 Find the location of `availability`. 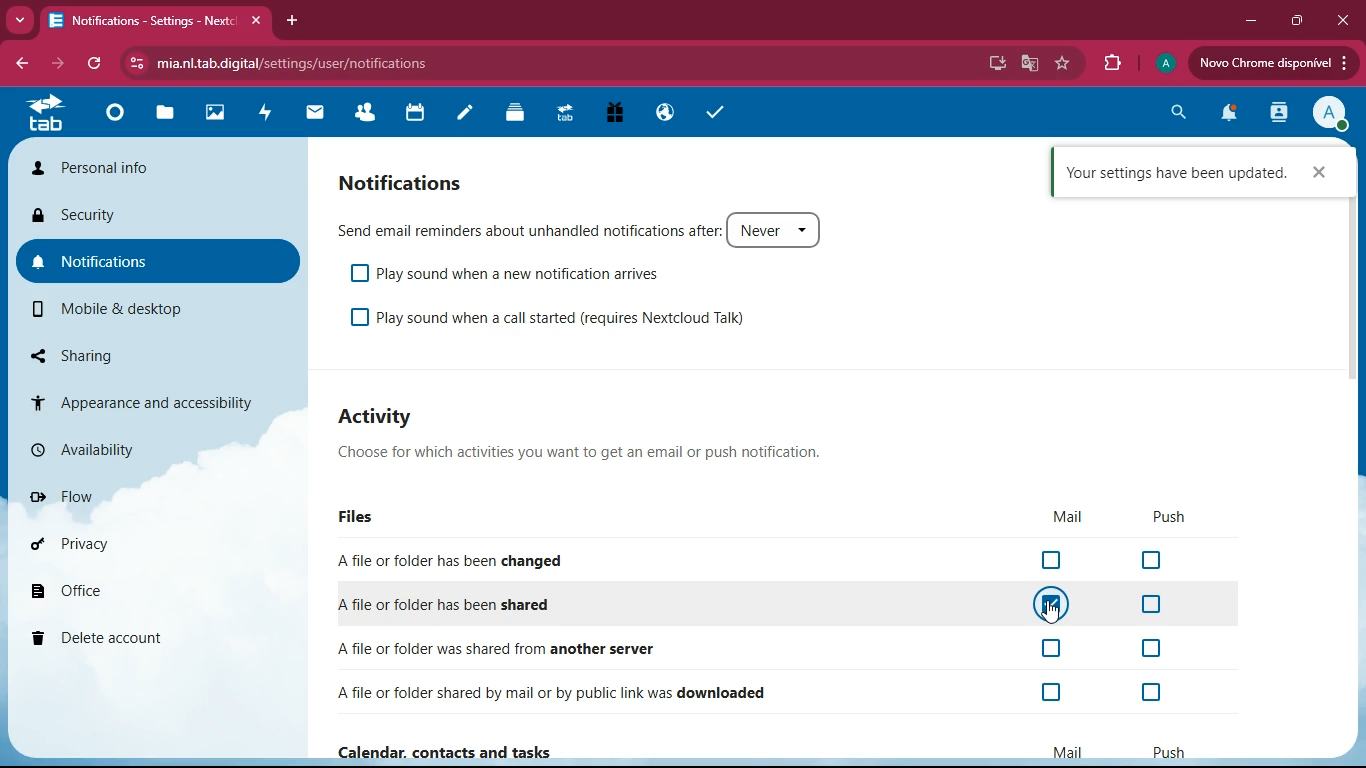

availability is located at coordinates (143, 449).